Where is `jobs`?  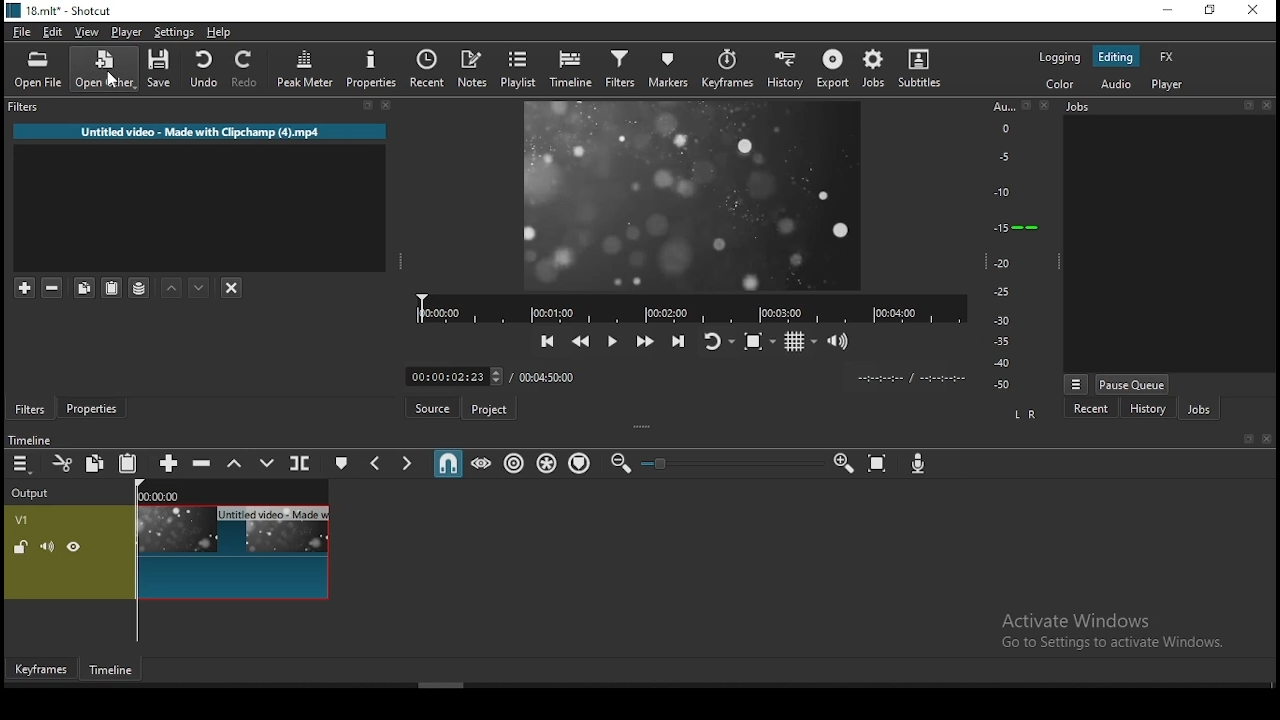 jobs is located at coordinates (1197, 410).